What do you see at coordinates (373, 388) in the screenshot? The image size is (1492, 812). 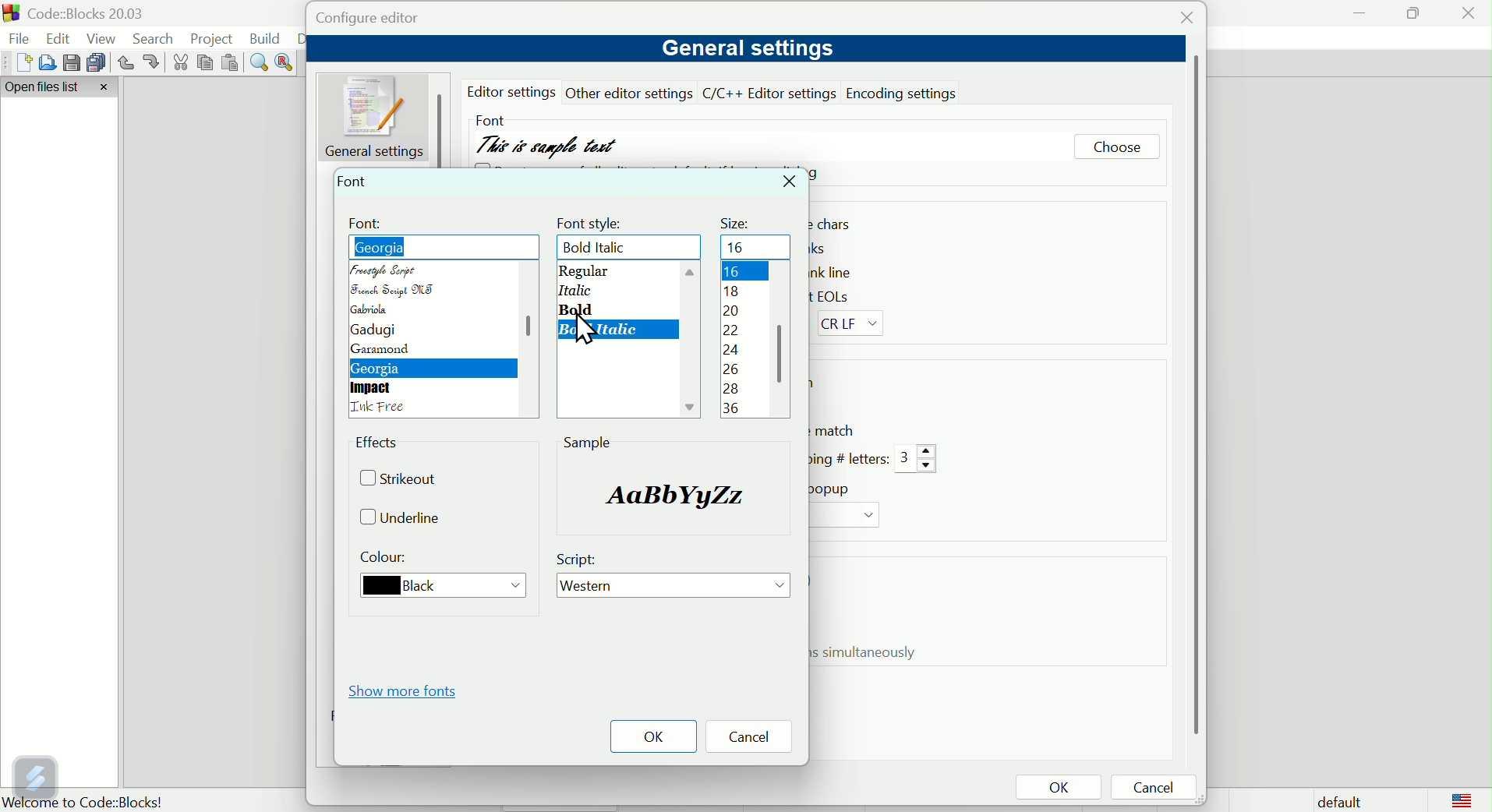 I see `Impact` at bounding box center [373, 388].